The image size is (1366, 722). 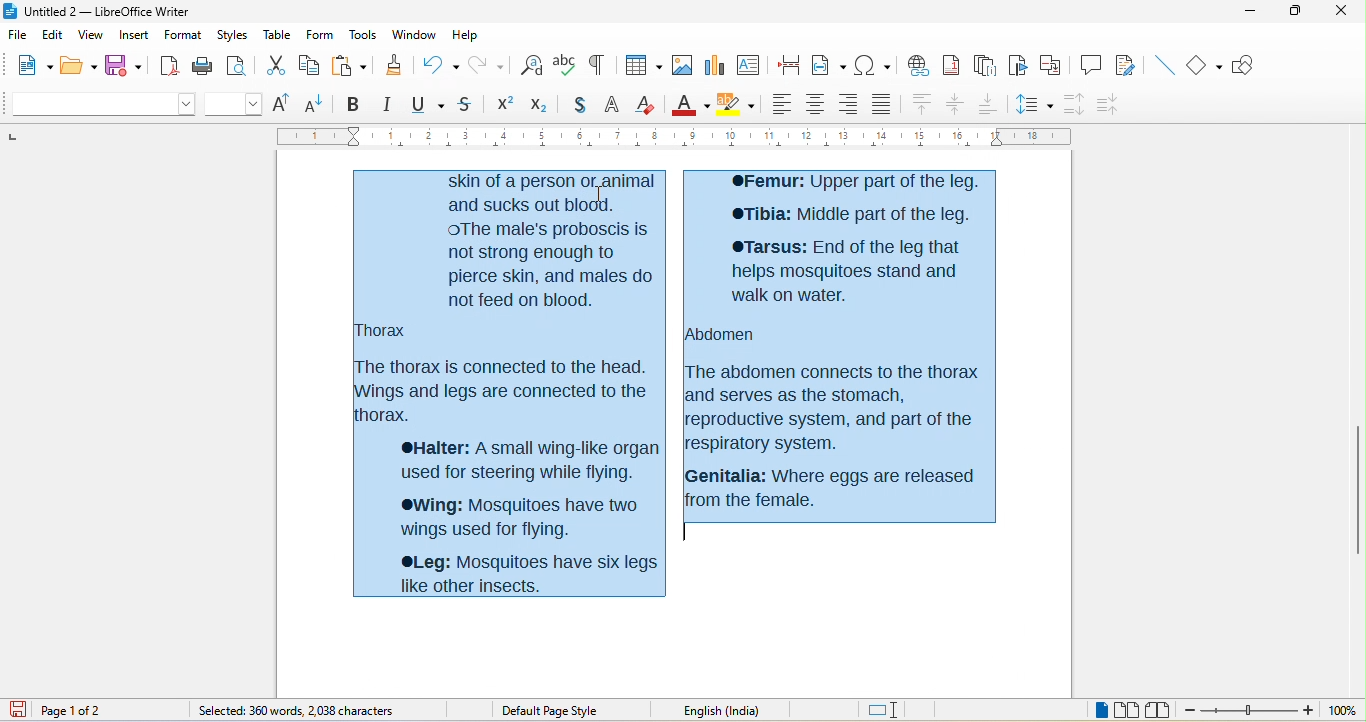 What do you see at coordinates (987, 67) in the screenshot?
I see `endnote` at bounding box center [987, 67].